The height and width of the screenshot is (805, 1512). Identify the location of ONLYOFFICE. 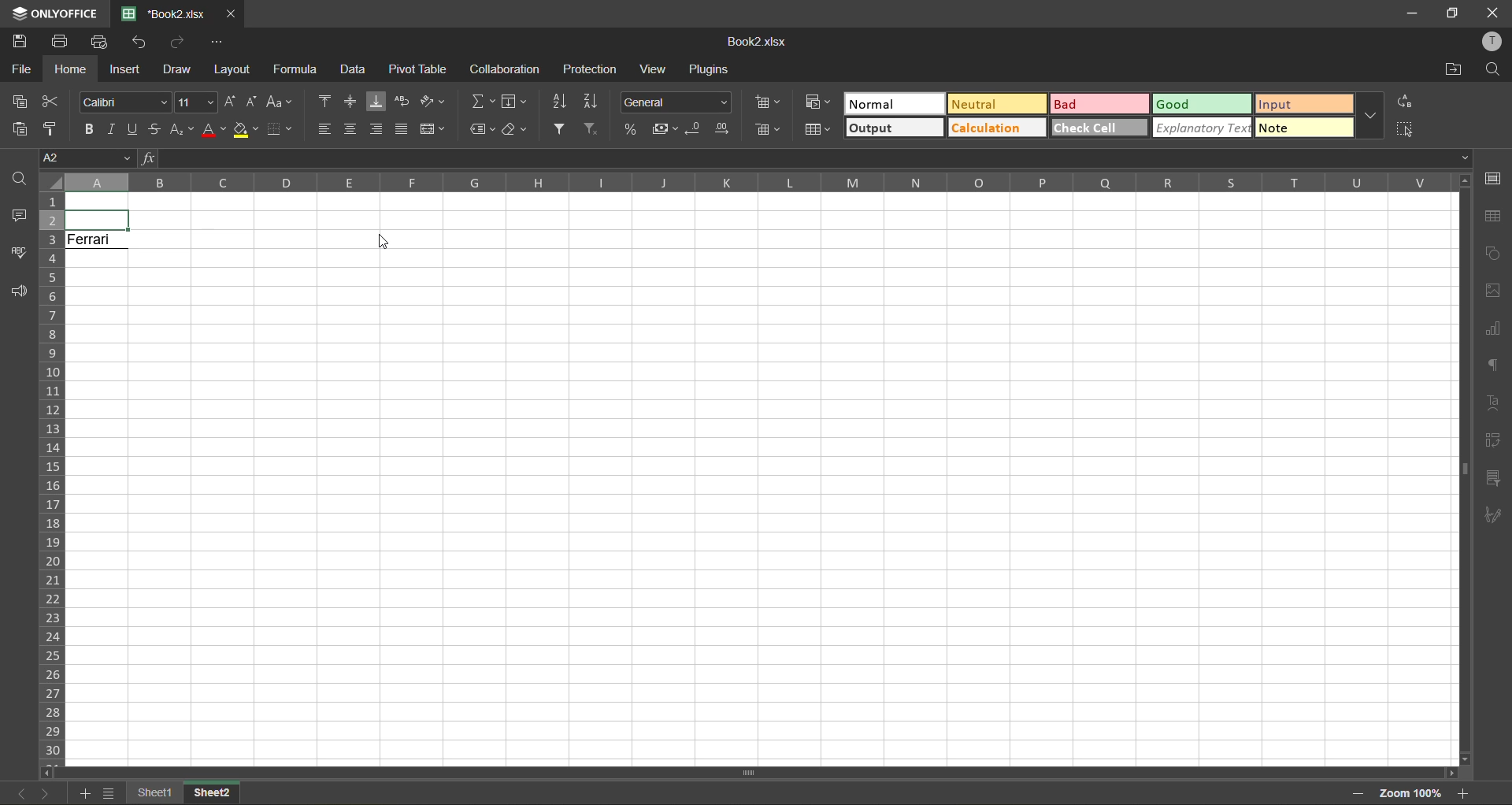
(50, 12).